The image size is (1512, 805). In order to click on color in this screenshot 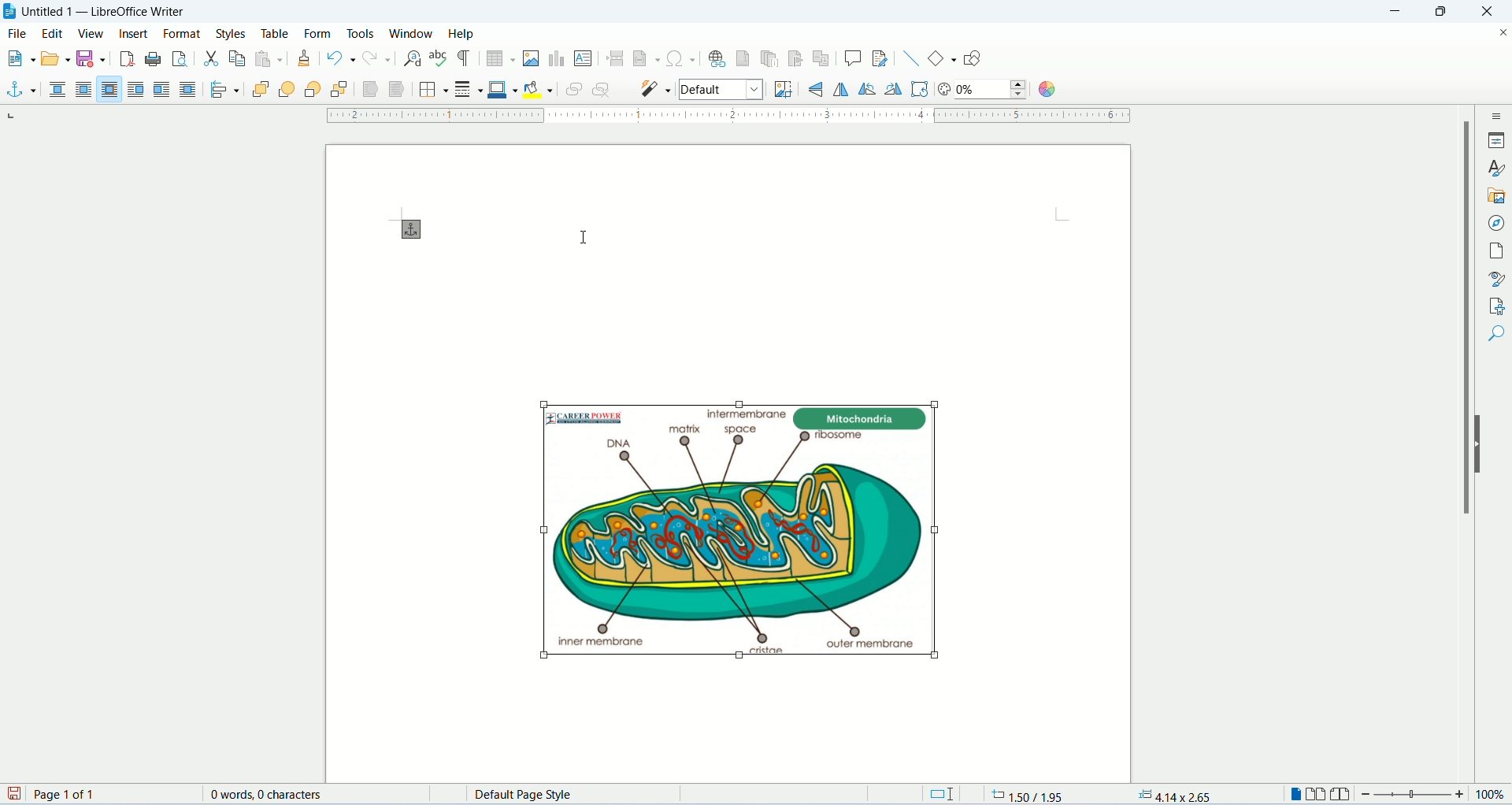, I will do `click(1045, 90)`.